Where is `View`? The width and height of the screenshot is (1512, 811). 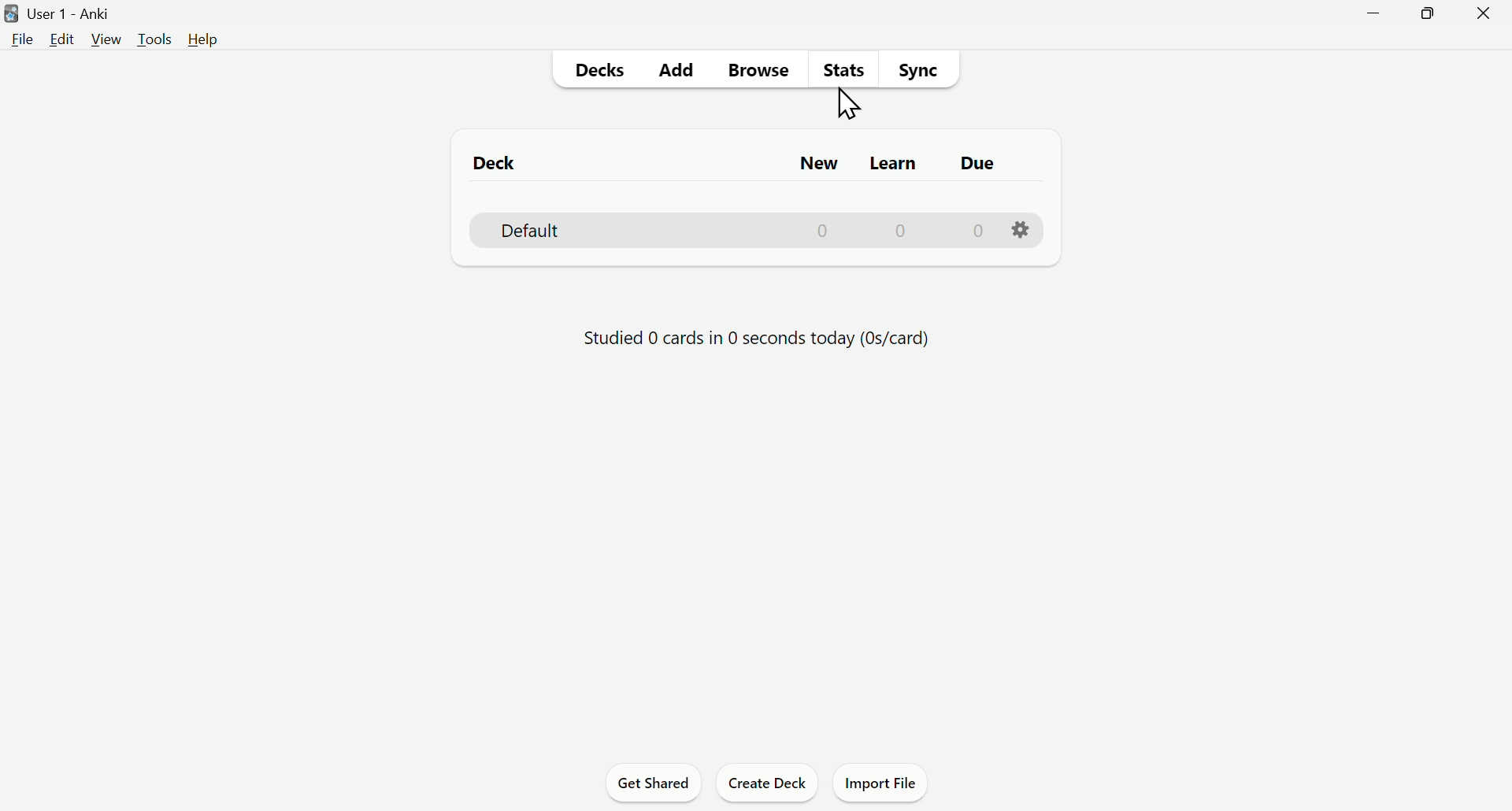 View is located at coordinates (107, 37).